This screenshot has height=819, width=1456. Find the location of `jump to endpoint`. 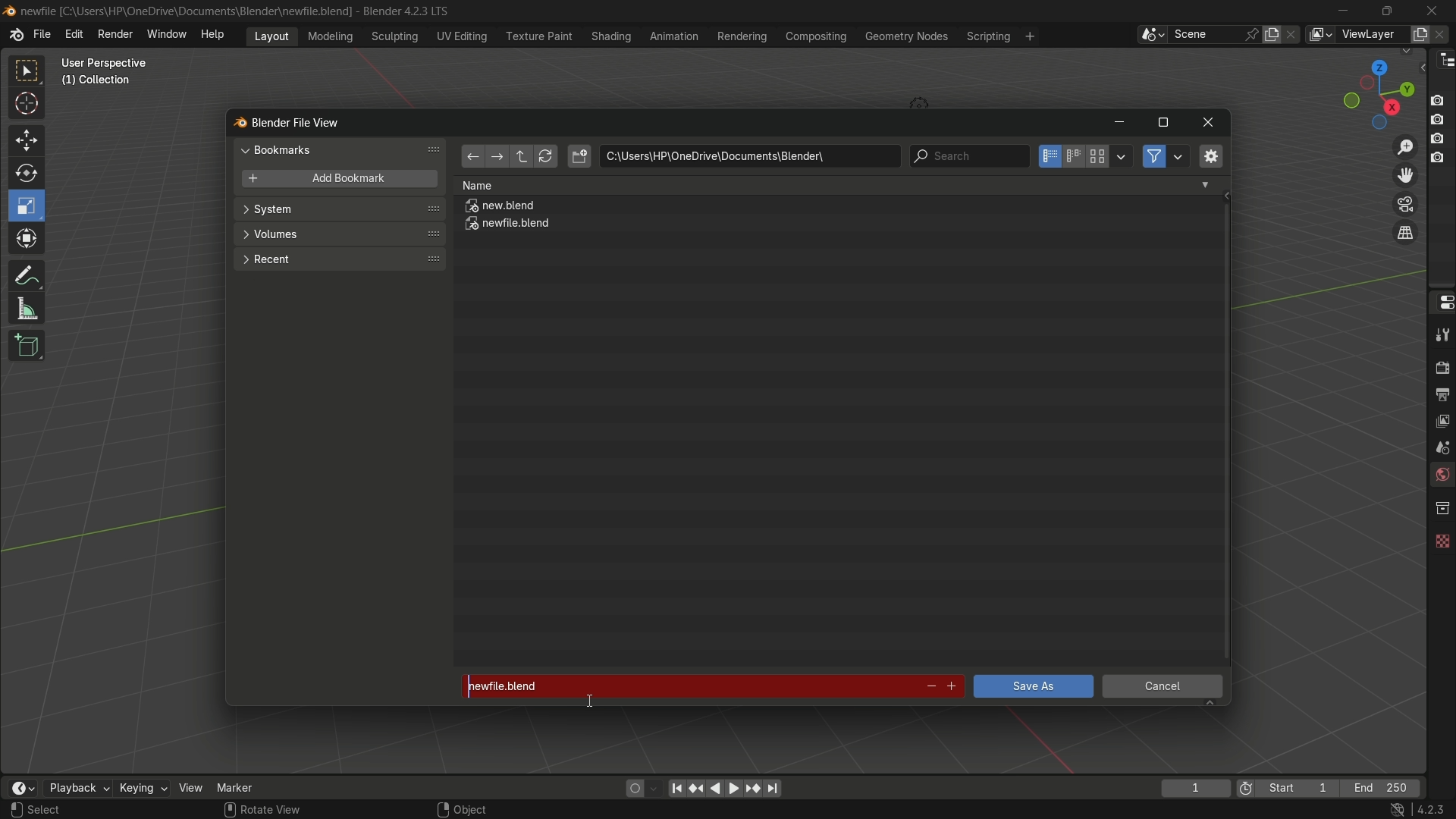

jump to endpoint is located at coordinates (773, 789).